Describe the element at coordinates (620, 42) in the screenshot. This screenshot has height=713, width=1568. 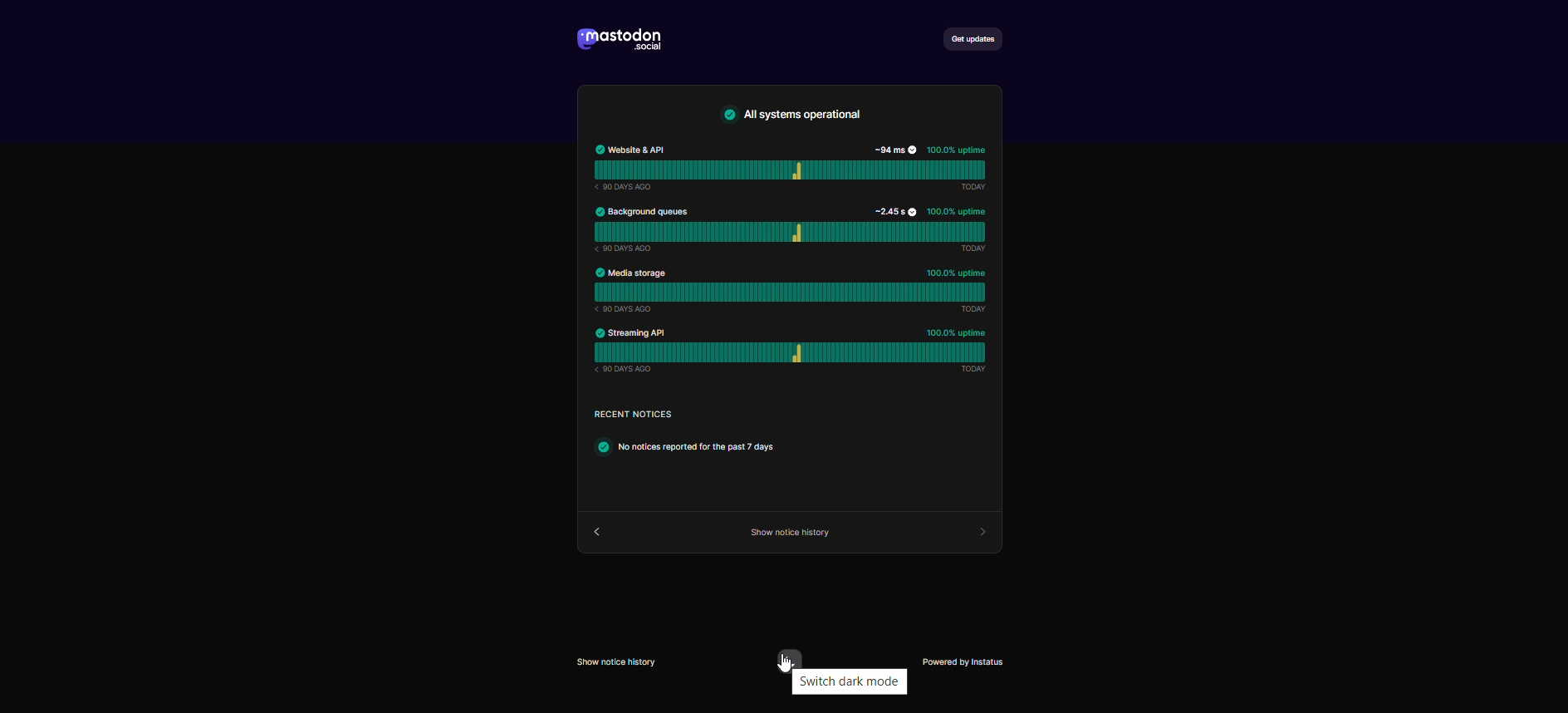
I see `logo` at that location.